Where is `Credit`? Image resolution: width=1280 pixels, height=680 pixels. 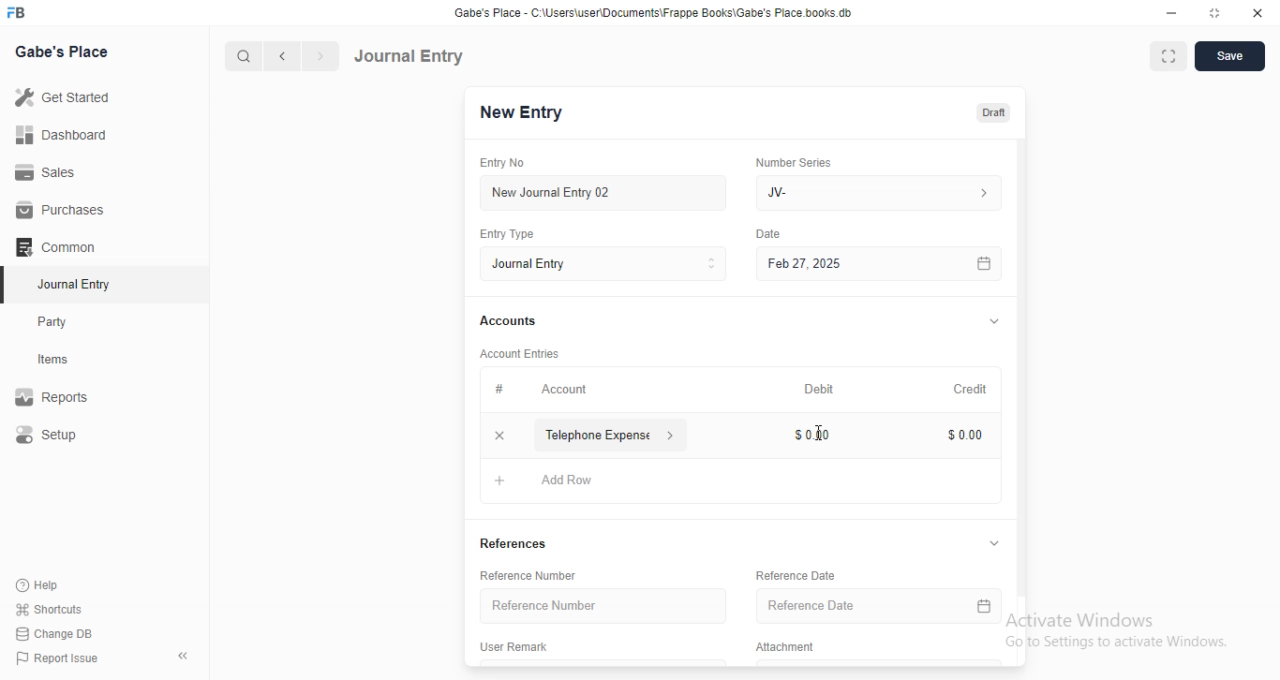 Credit is located at coordinates (971, 390).